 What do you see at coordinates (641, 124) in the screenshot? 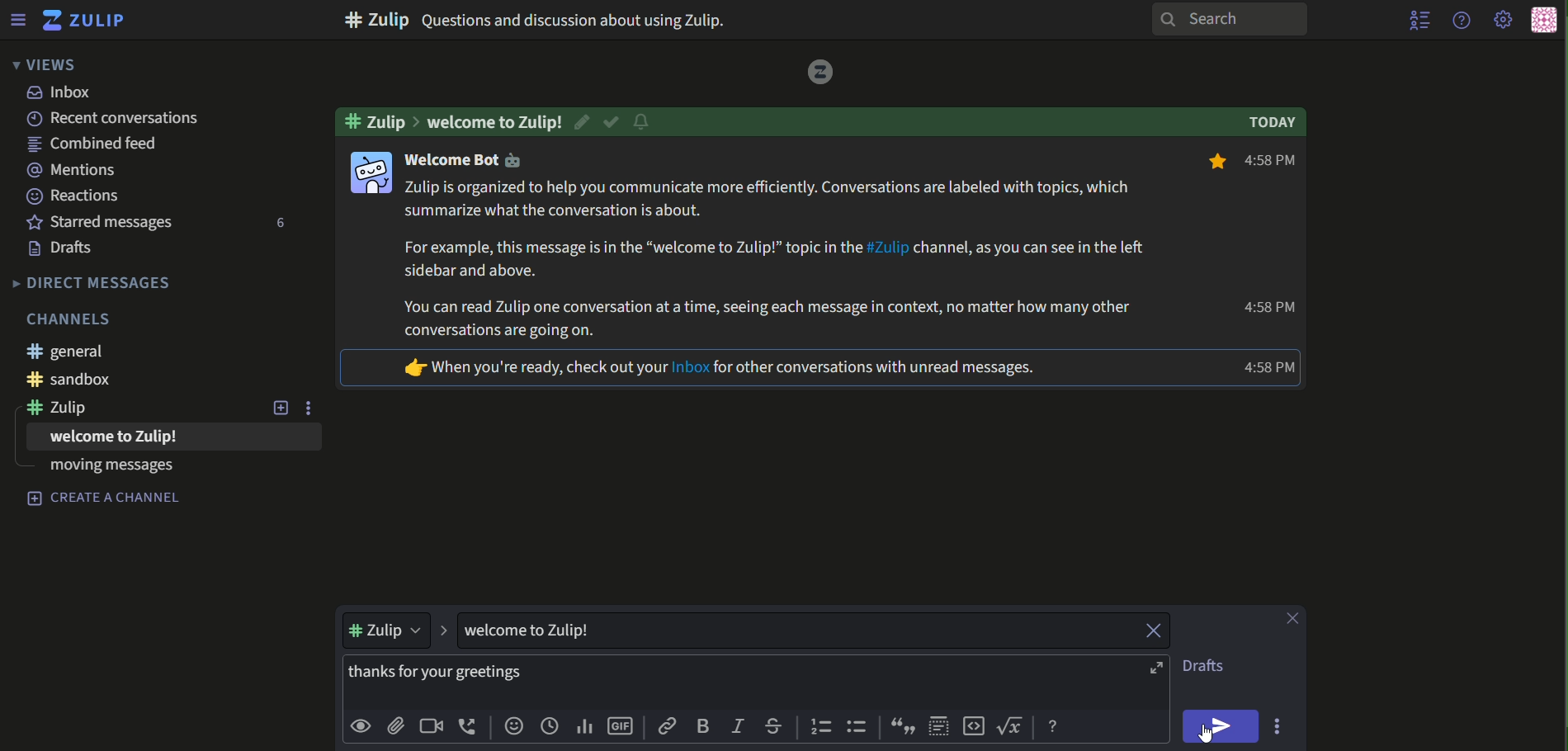
I see `notification` at bounding box center [641, 124].